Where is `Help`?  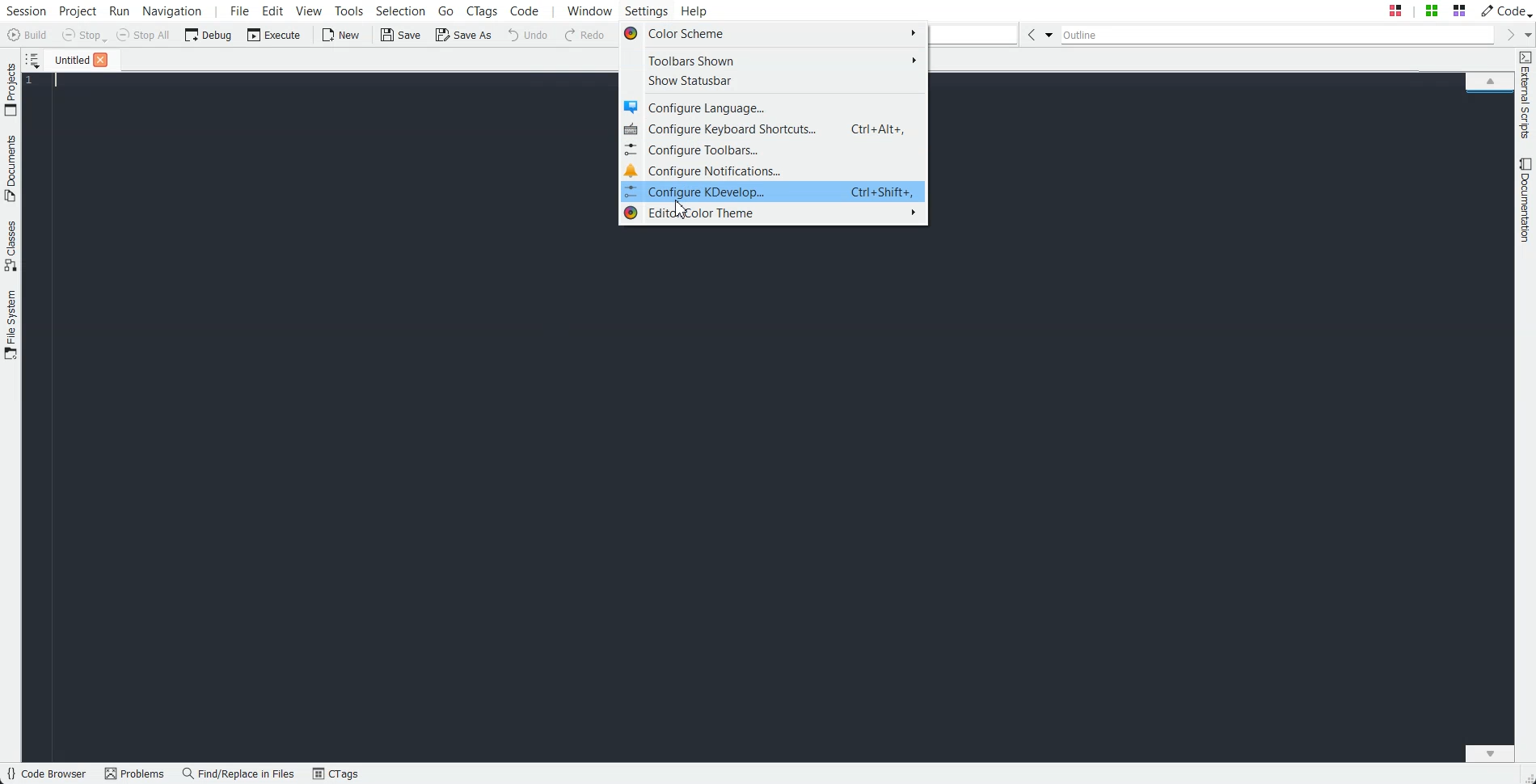
Help is located at coordinates (694, 10).